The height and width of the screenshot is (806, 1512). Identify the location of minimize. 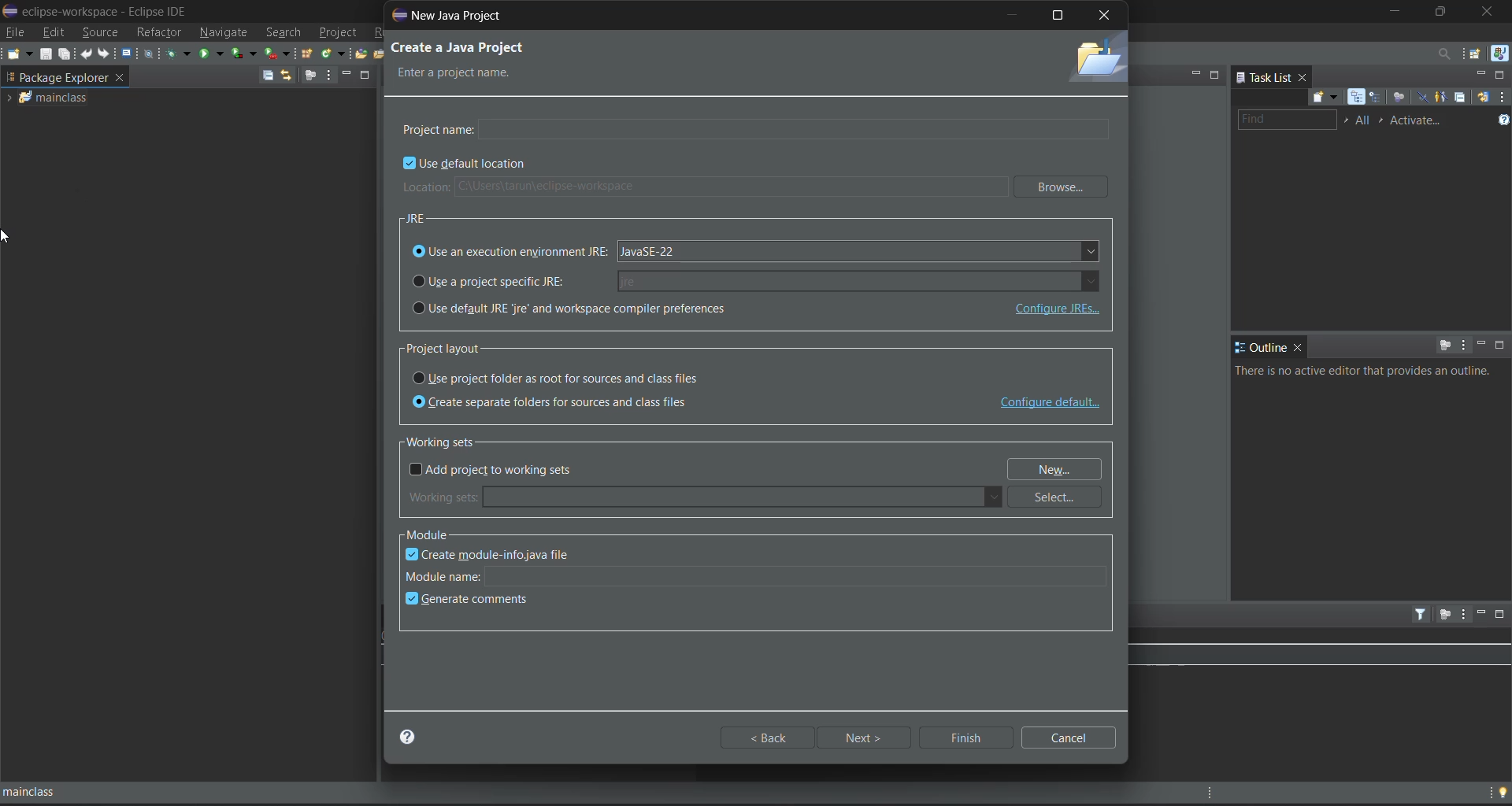
(1480, 612).